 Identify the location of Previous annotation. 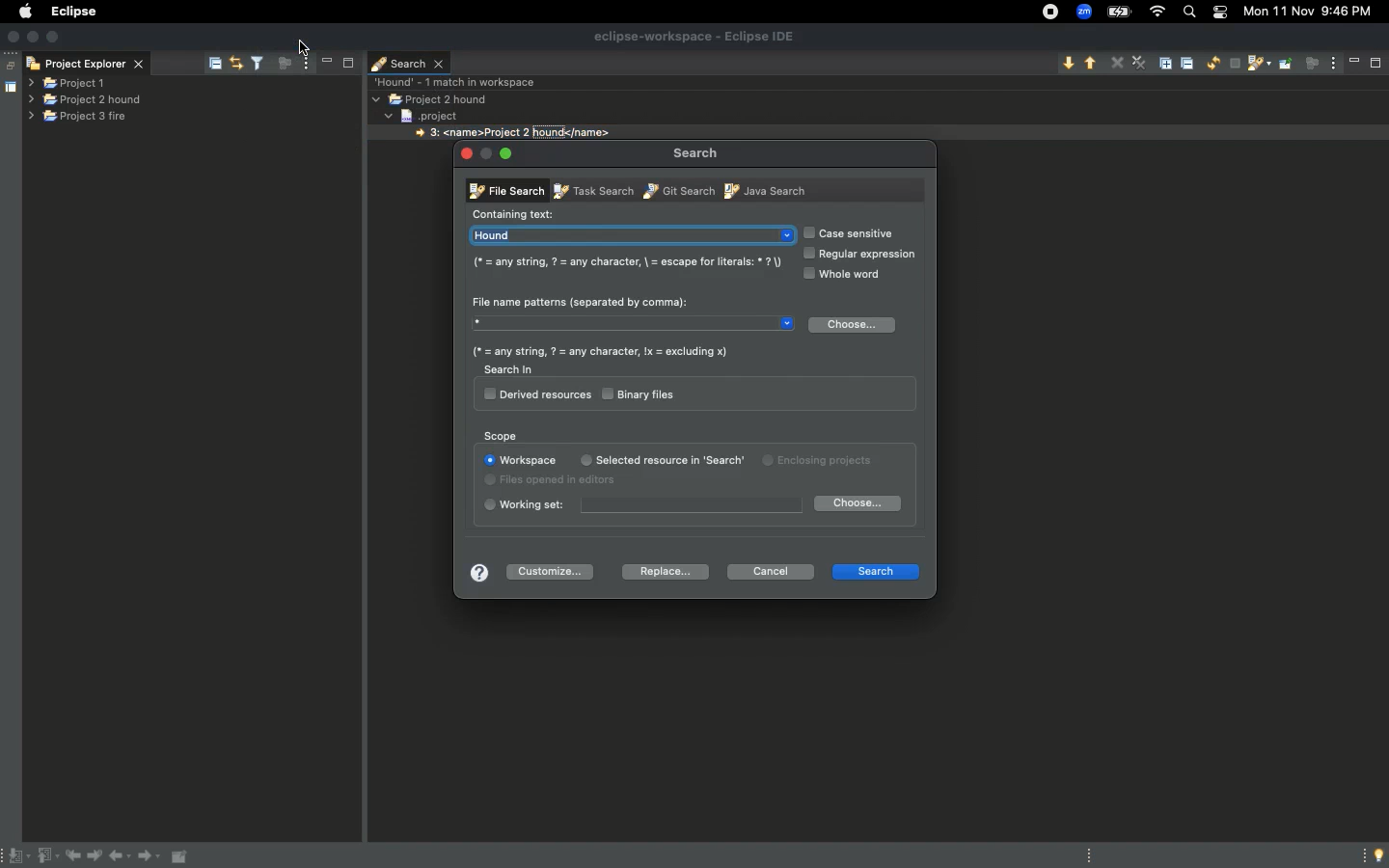
(46, 856).